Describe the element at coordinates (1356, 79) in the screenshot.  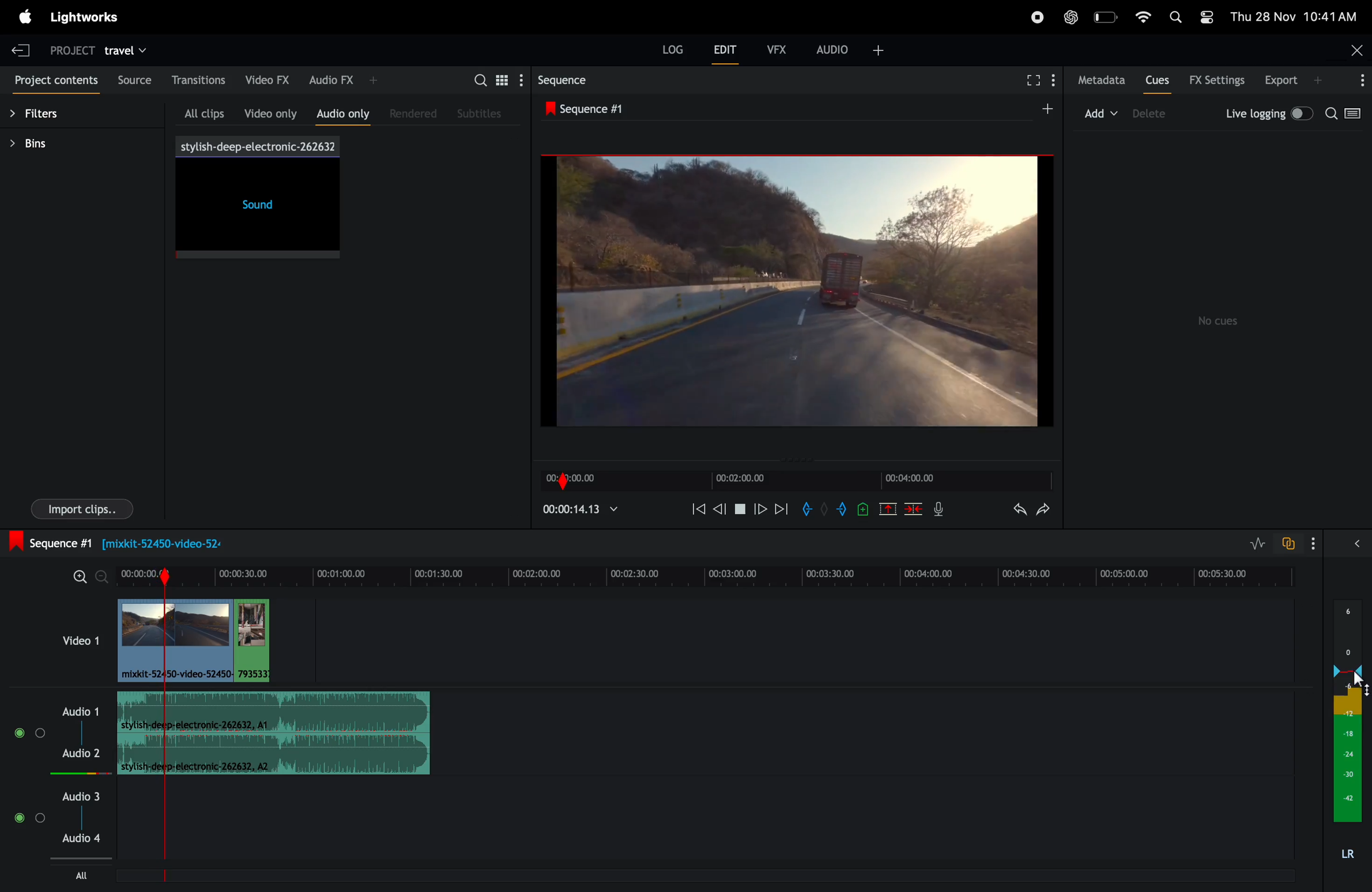
I see `options` at that location.